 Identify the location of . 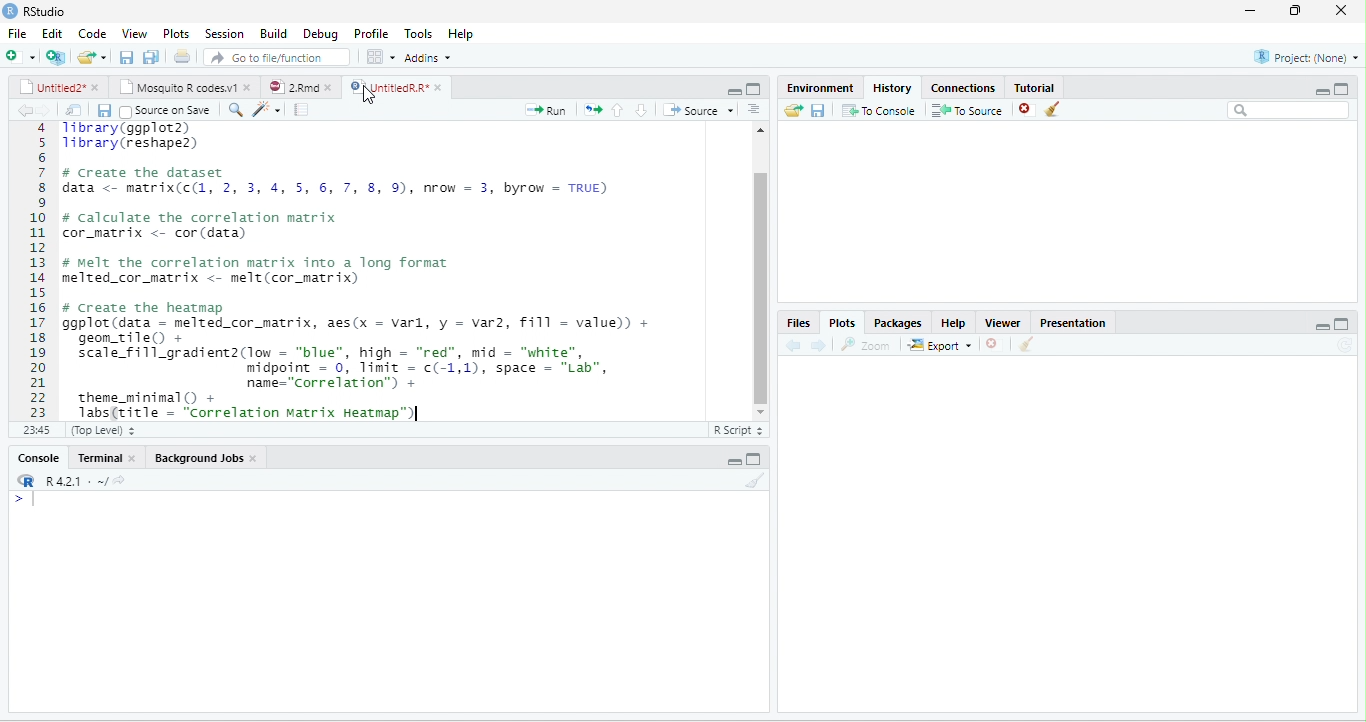
(644, 108).